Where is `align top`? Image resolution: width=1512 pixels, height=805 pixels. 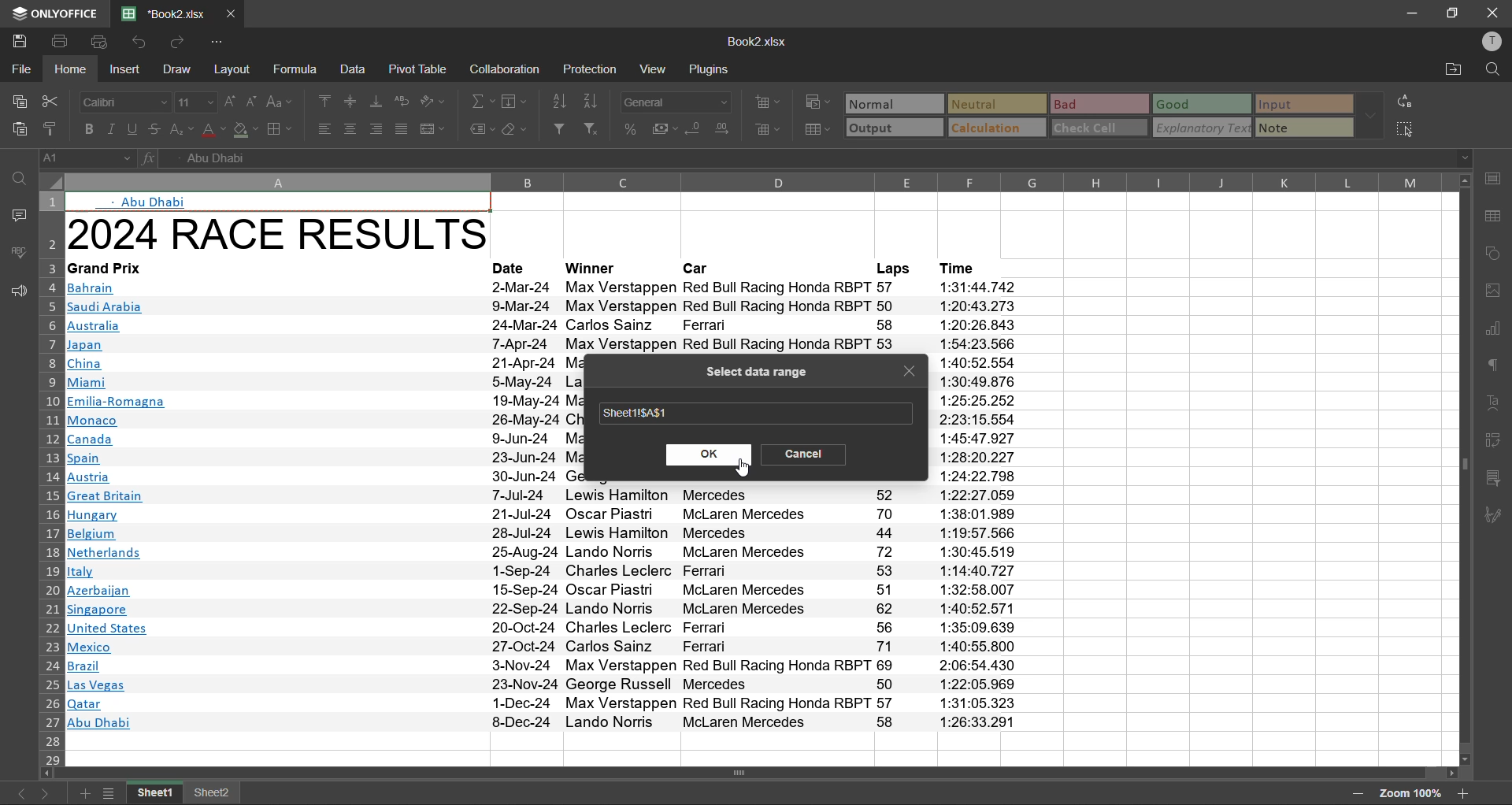 align top is located at coordinates (326, 102).